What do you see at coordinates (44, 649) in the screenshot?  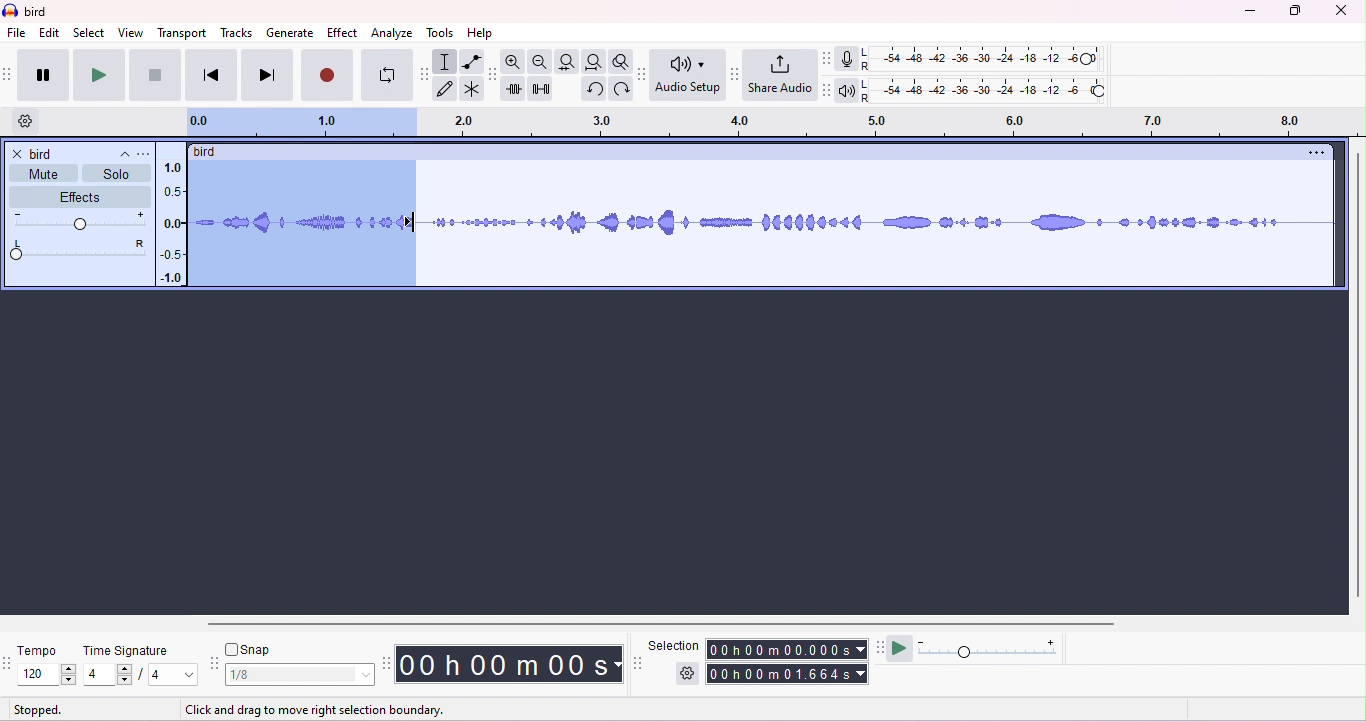 I see `tempo` at bounding box center [44, 649].